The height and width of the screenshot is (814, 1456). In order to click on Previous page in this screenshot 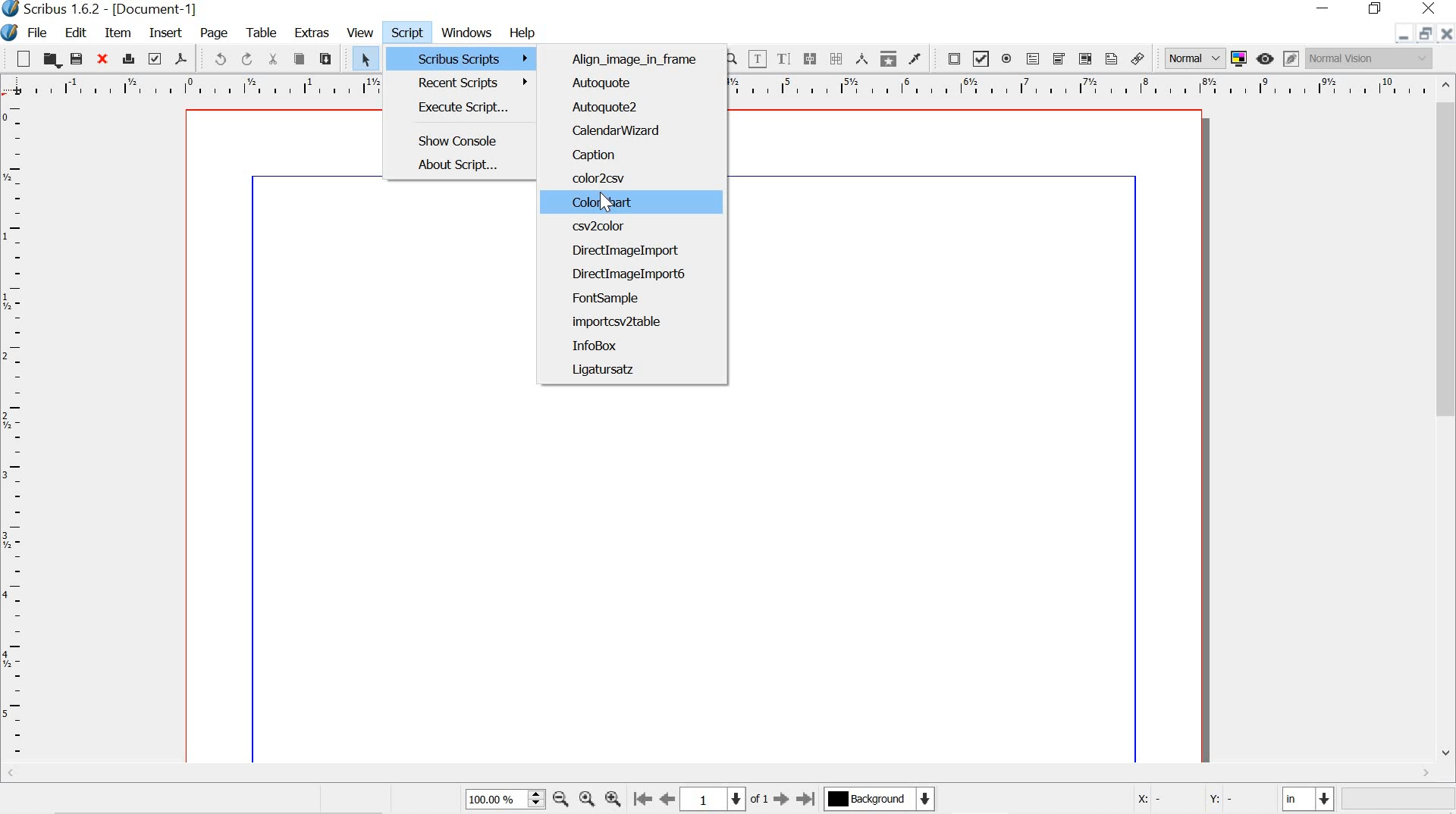, I will do `click(667, 797)`.